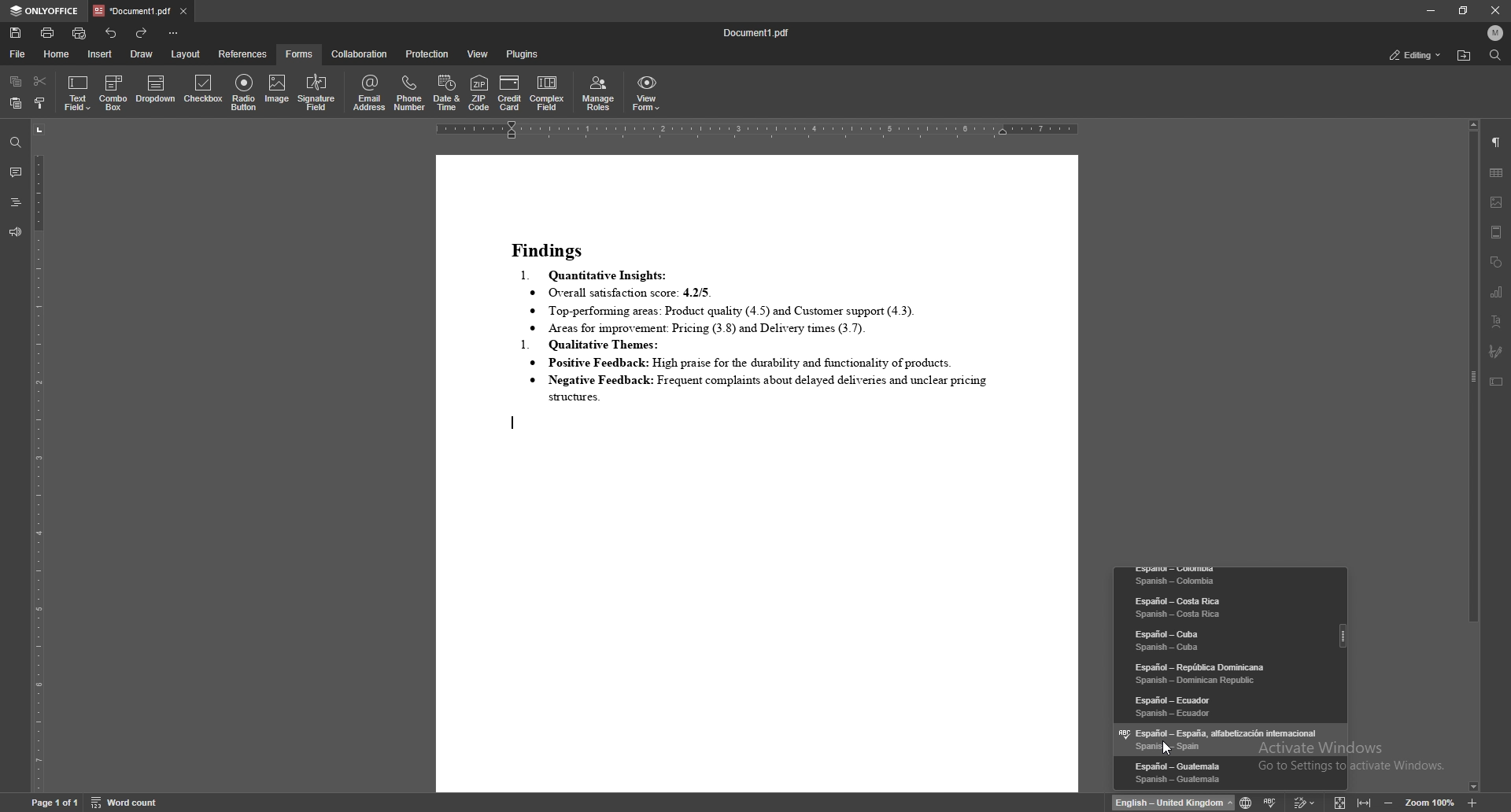 Image resolution: width=1511 pixels, height=812 pixels. What do you see at coordinates (39, 104) in the screenshot?
I see `copy style` at bounding box center [39, 104].